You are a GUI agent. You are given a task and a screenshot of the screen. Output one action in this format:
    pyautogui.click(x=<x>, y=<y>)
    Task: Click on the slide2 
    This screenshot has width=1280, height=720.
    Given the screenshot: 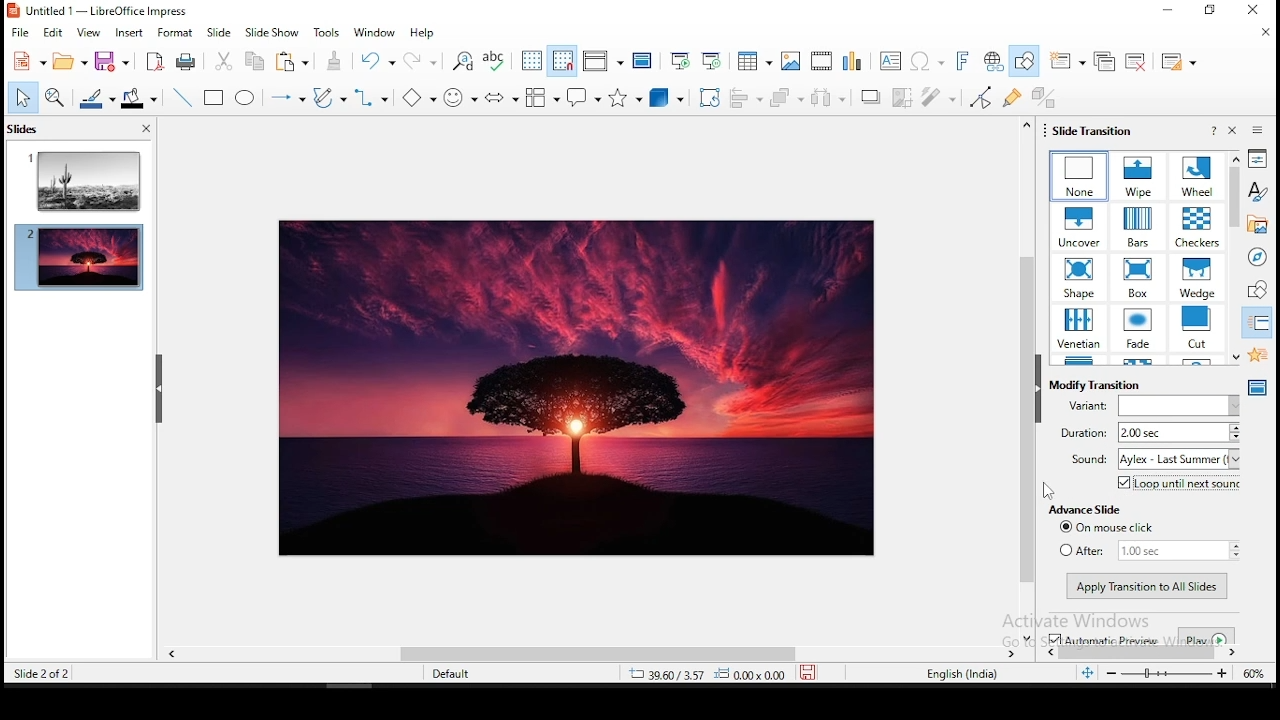 What is the action you would take?
    pyautogui.click(x=79, y=259)
    